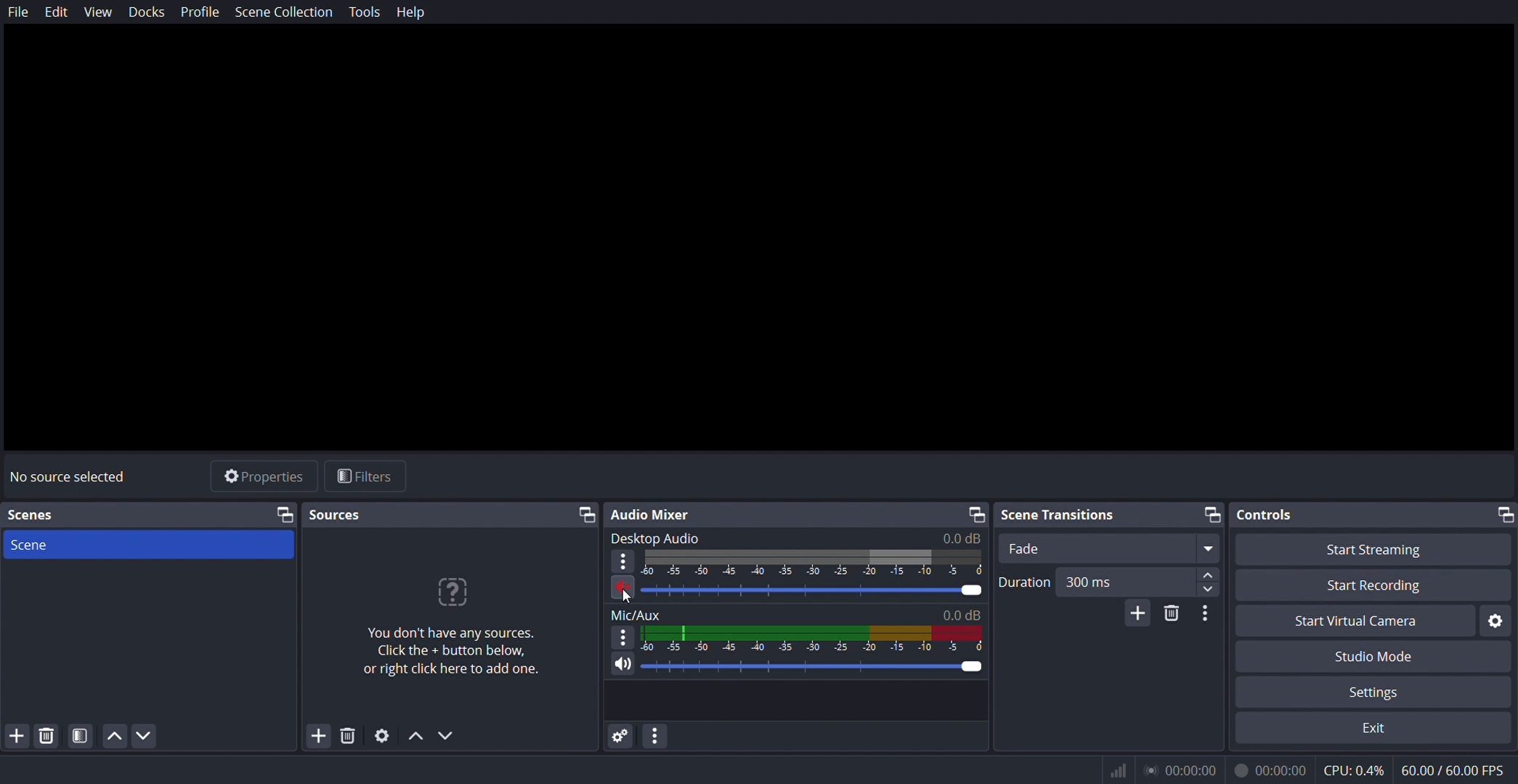  What do you see at coordinates (284, 515) in the screenshot?
I see `source` at bounding box center [284, 515].